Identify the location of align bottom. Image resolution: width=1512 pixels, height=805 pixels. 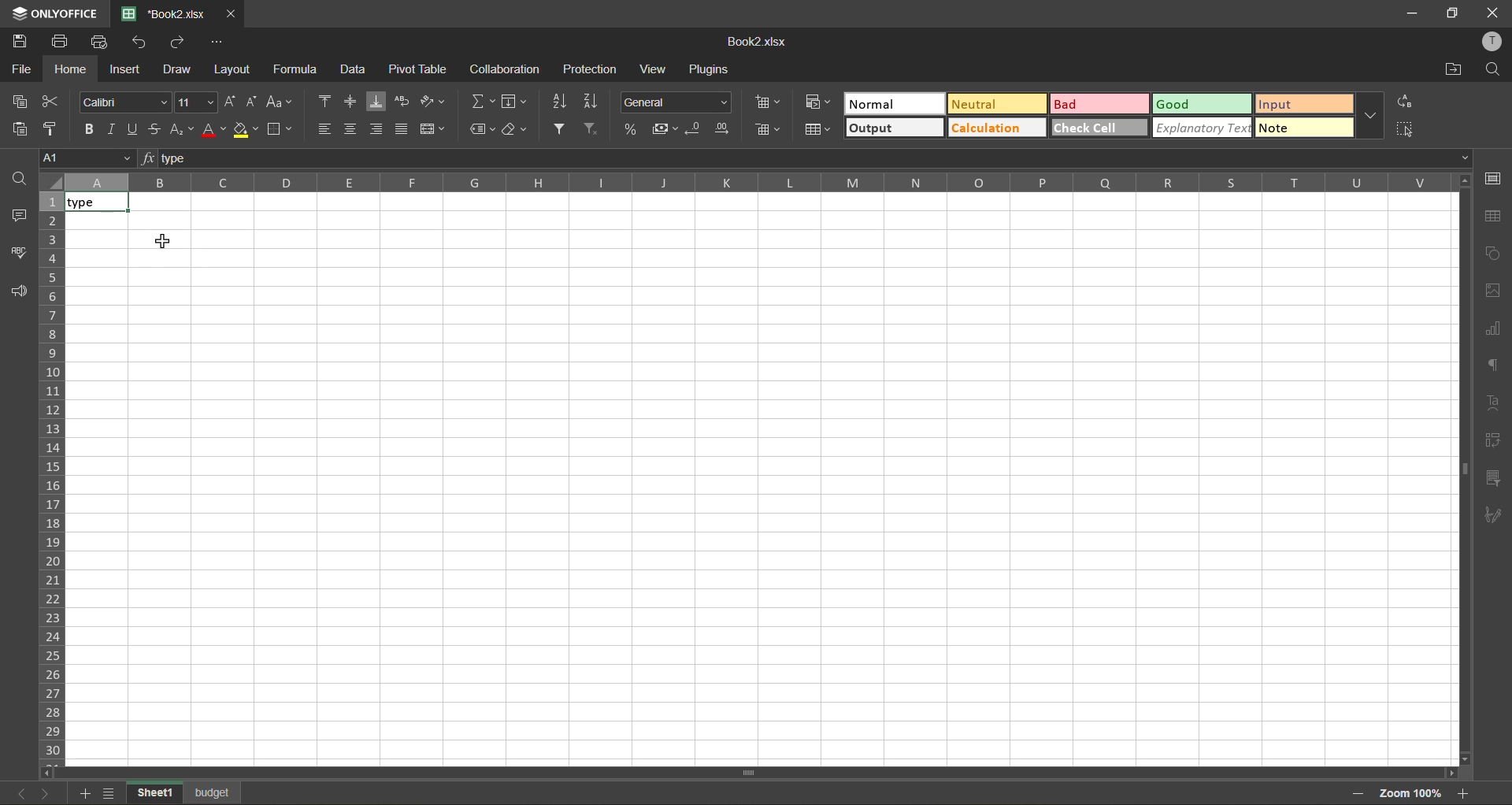
(377, 129).